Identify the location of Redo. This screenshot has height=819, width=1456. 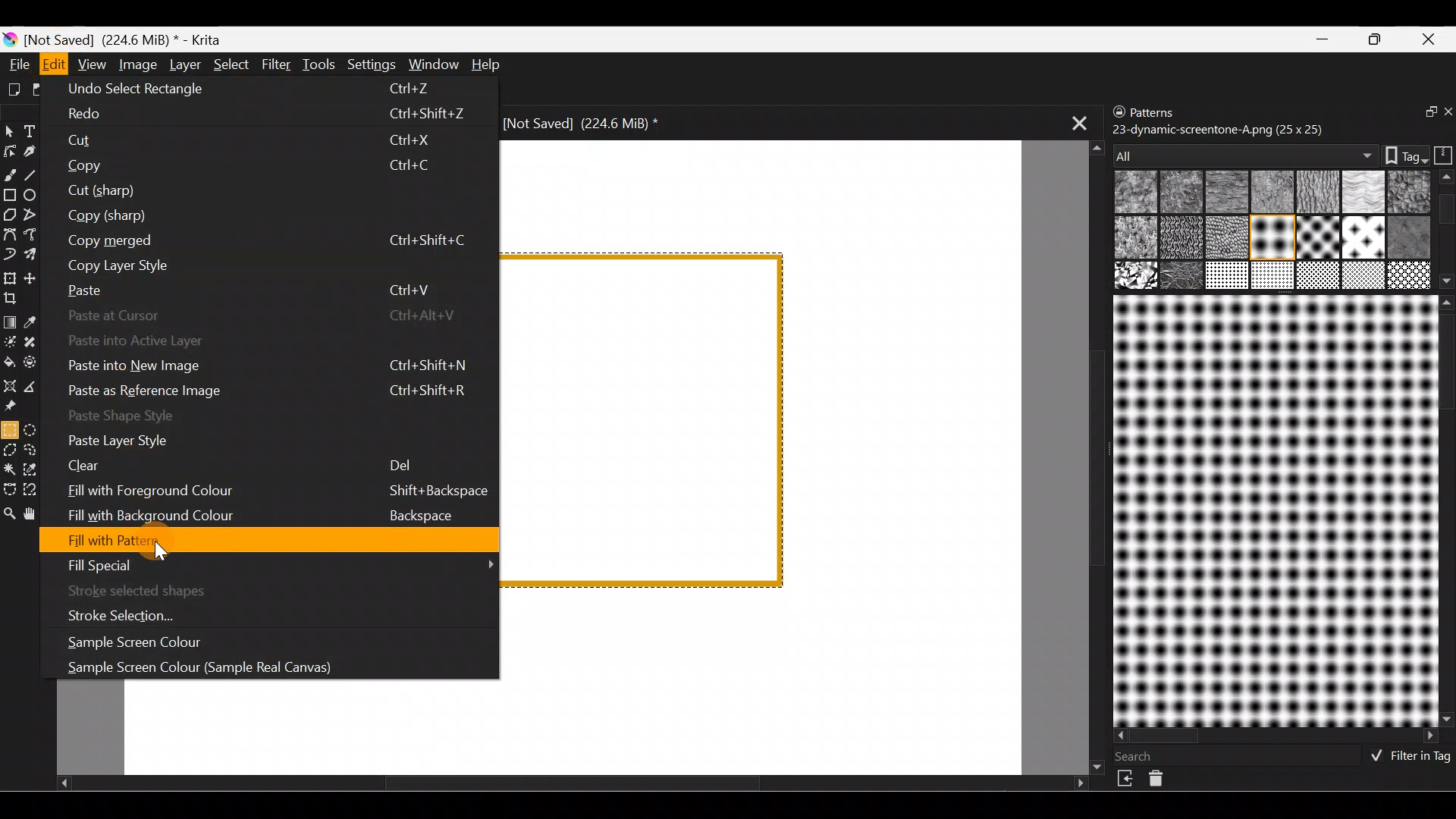
(264, 118).